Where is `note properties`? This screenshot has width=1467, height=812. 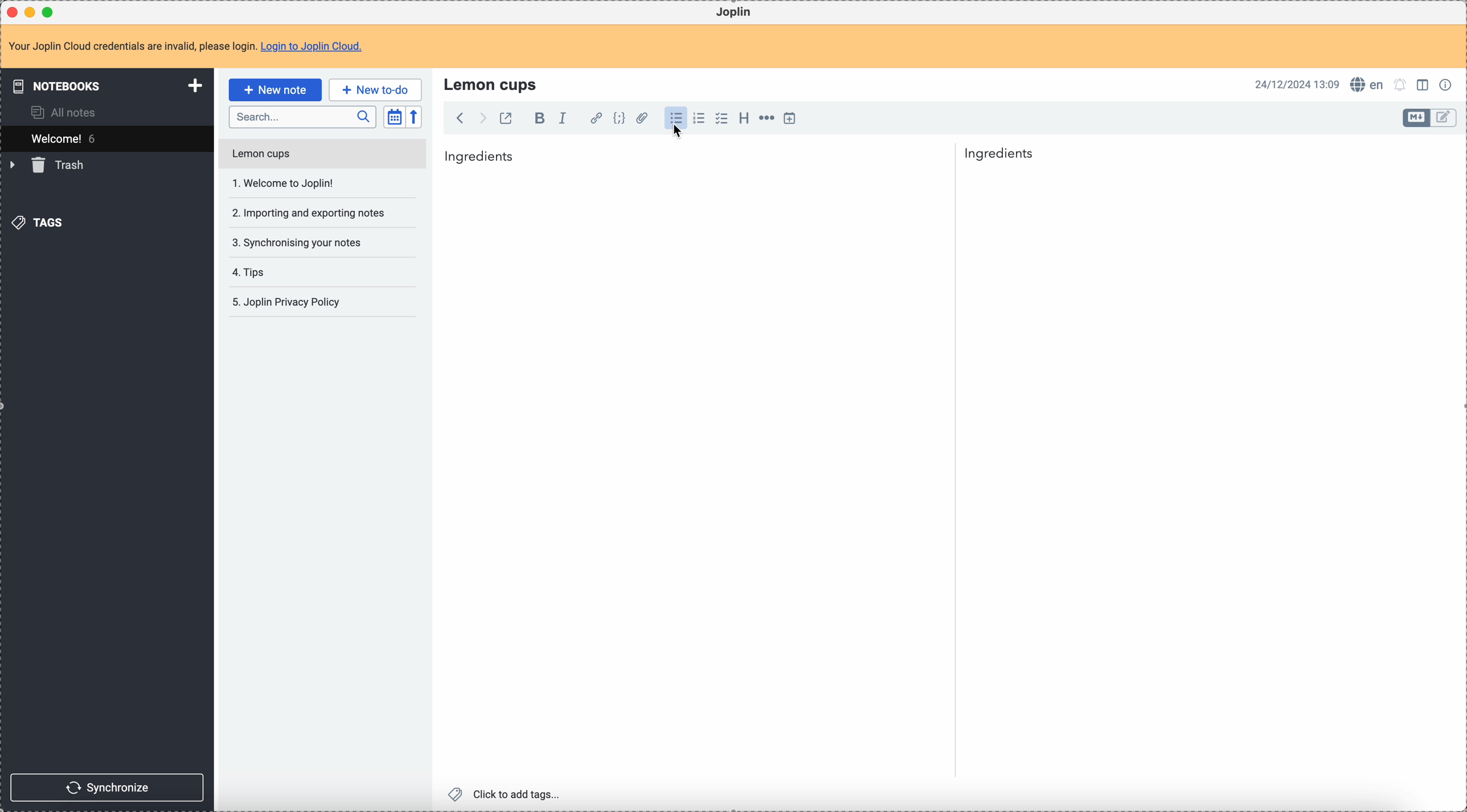
note properties is located at coordinates (1448, 84).